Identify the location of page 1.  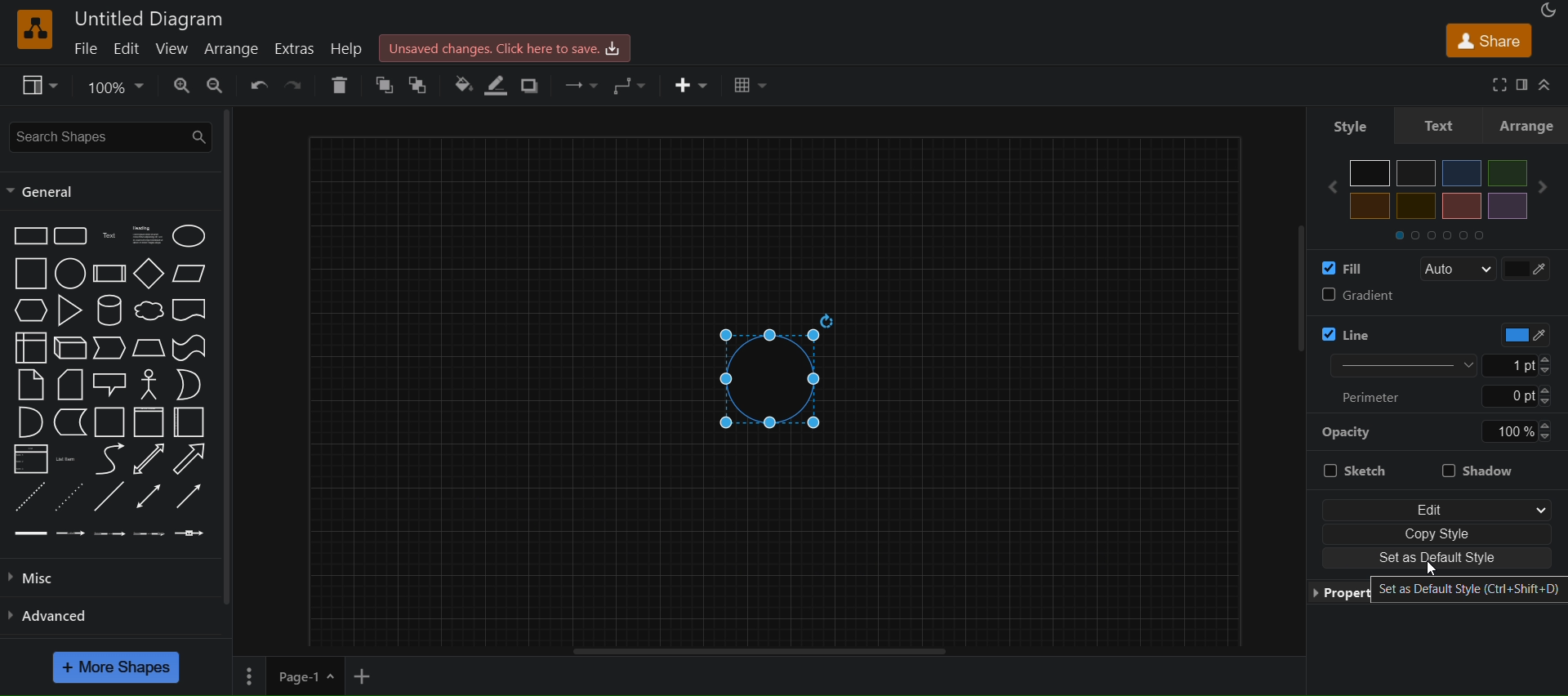
(287, 677).